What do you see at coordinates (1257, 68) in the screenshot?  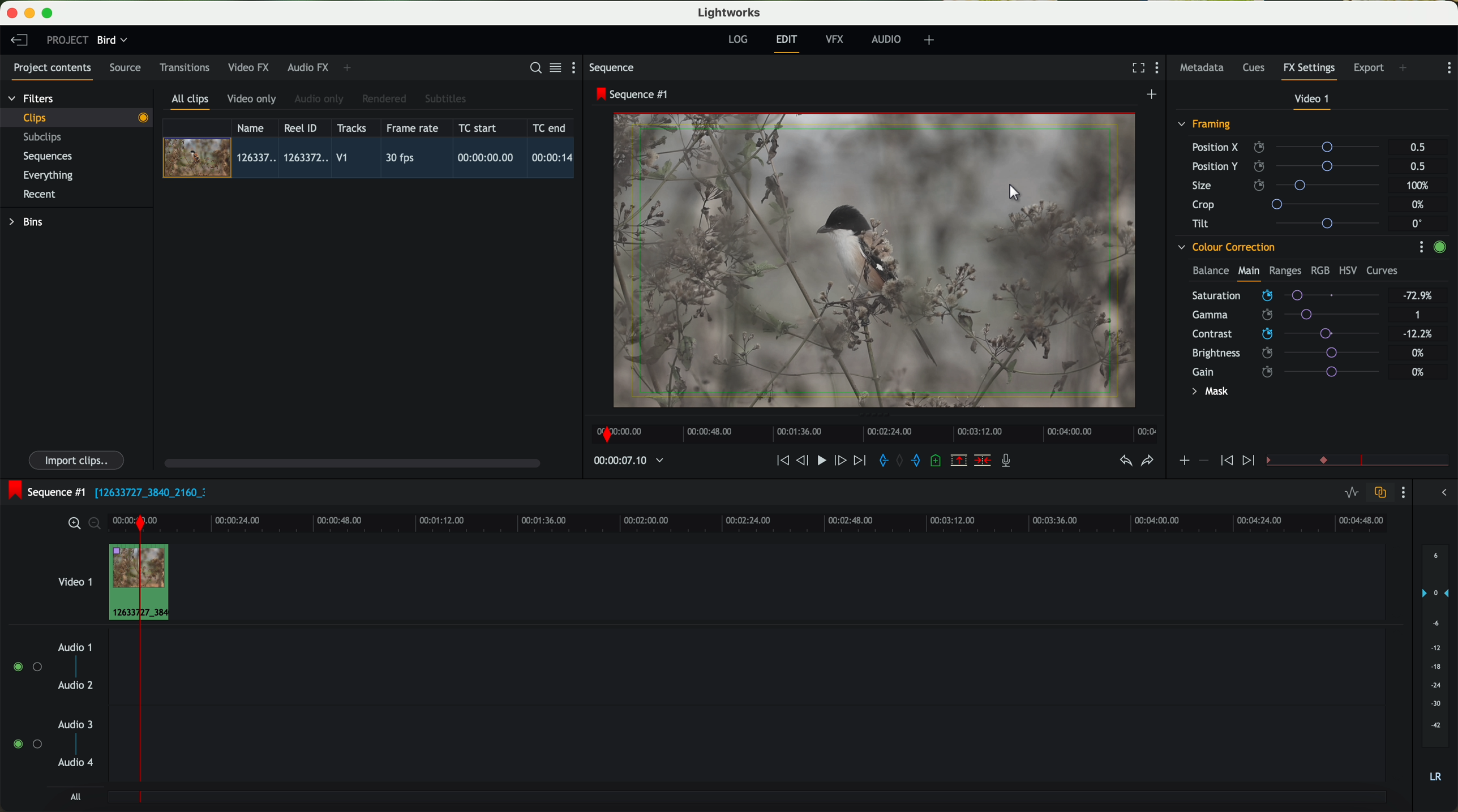 I see `cues` at bounding box center [1257, 68].